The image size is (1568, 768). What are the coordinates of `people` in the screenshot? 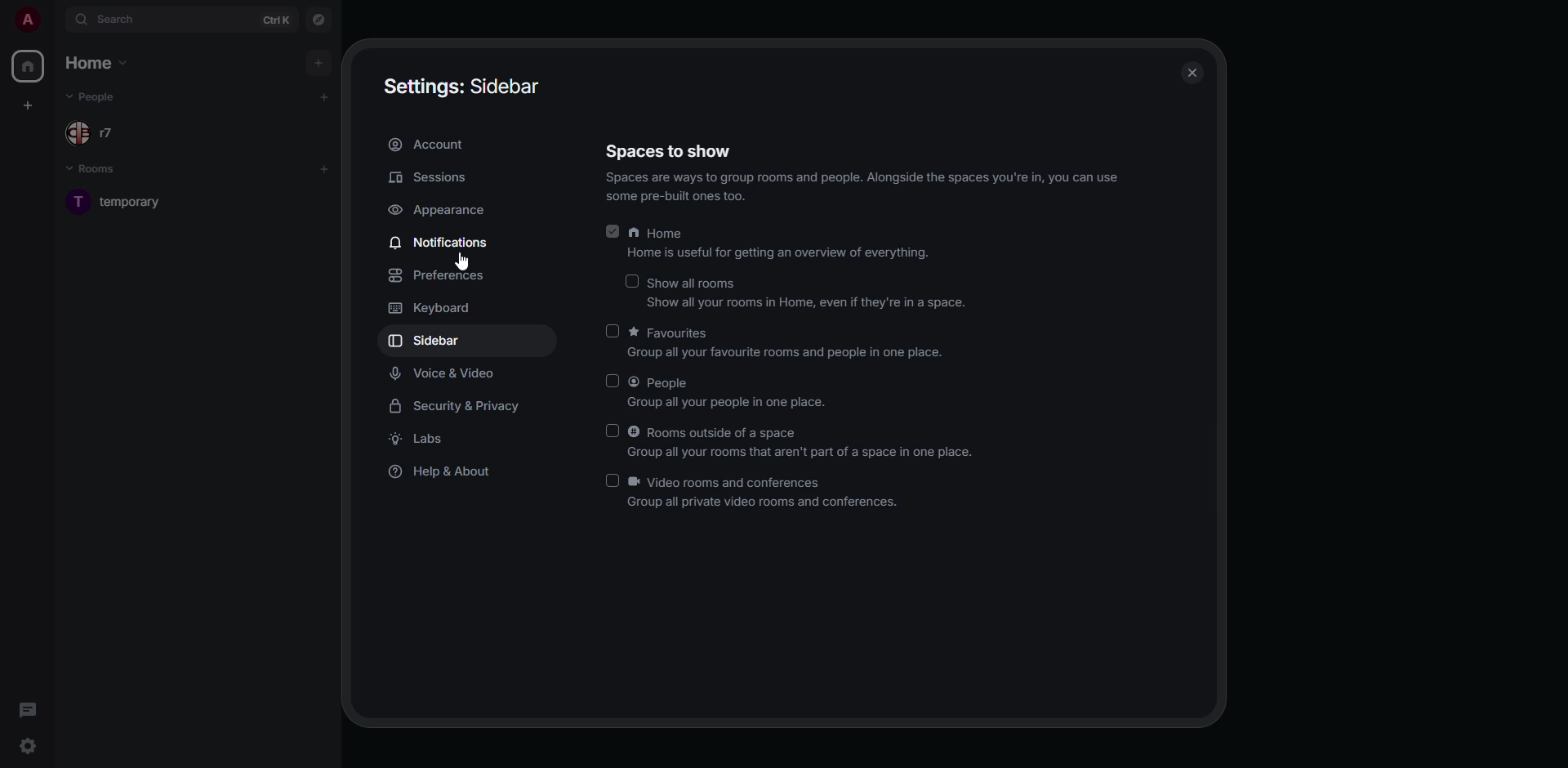 It's located at (730, 392).